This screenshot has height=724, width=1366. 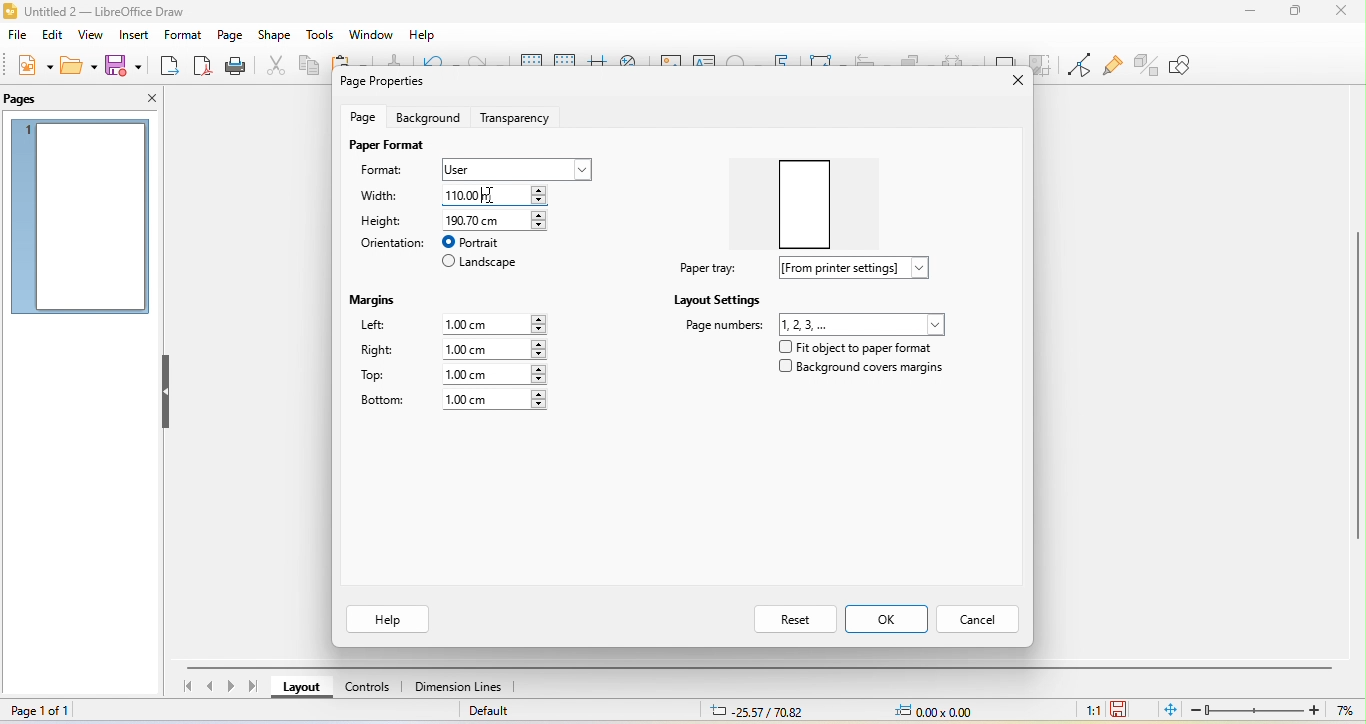 I want to click on 110.00 cm, so click(x=502, y=194).